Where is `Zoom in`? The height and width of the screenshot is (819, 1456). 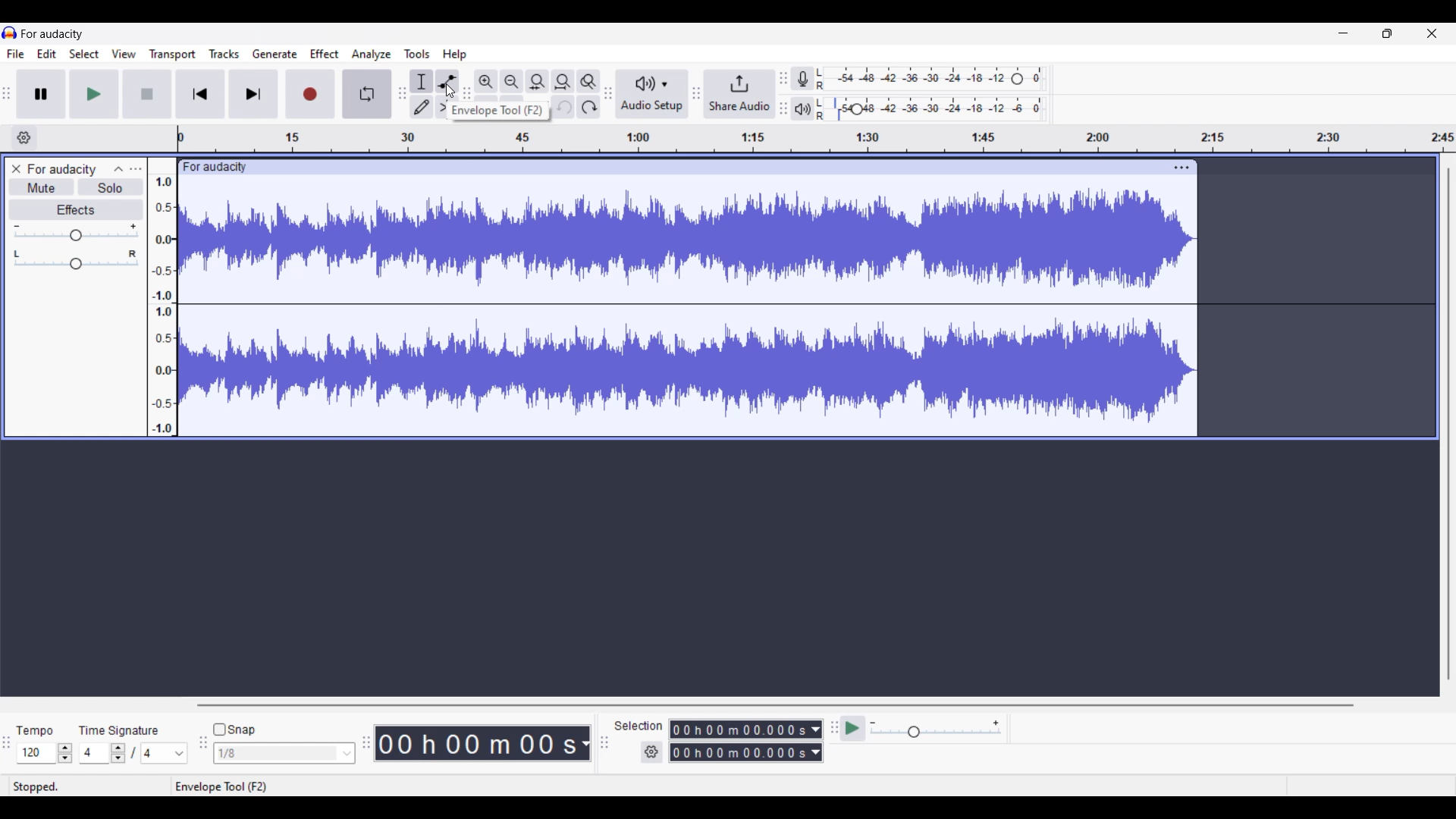
Zoom in is located at coordinates (486, 81).